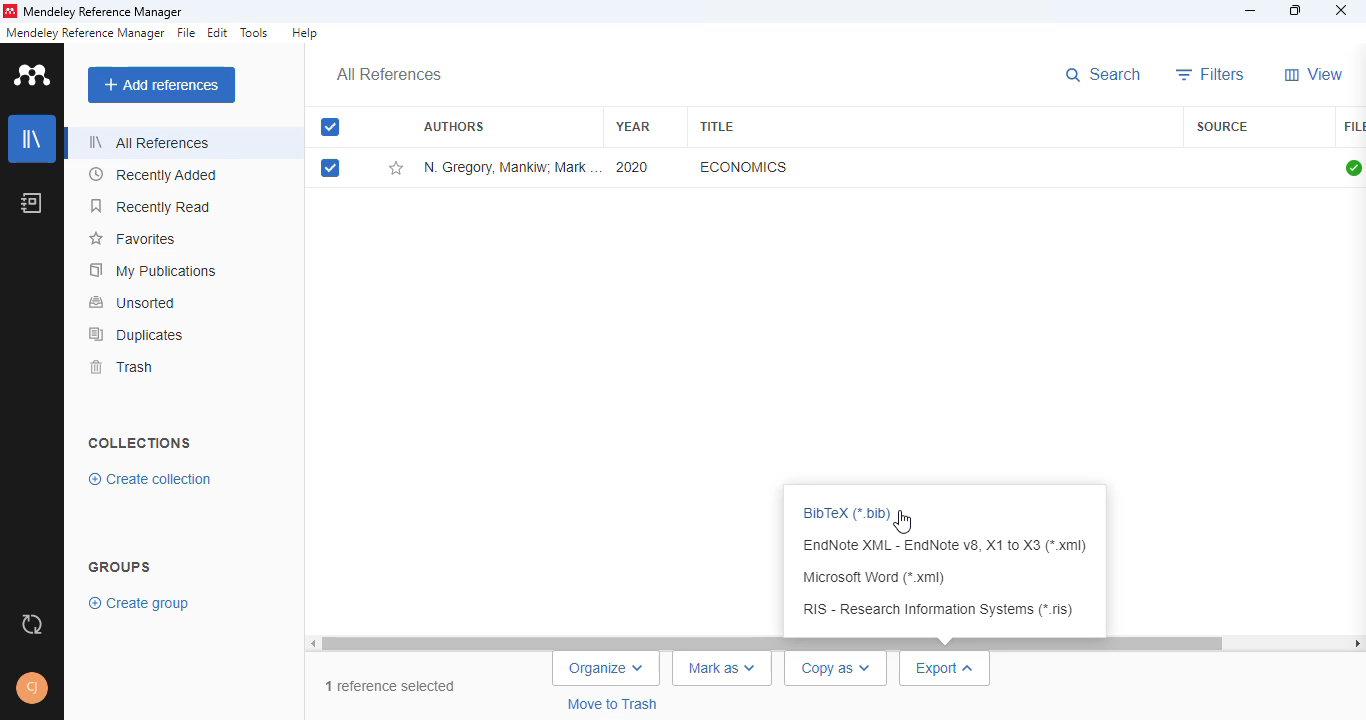 The height and width of the screenshot is (720, 1366). Describe the element at coordinates (874, 578) in the screenshot. I see `Microsoft word (*.xml)` at that location.